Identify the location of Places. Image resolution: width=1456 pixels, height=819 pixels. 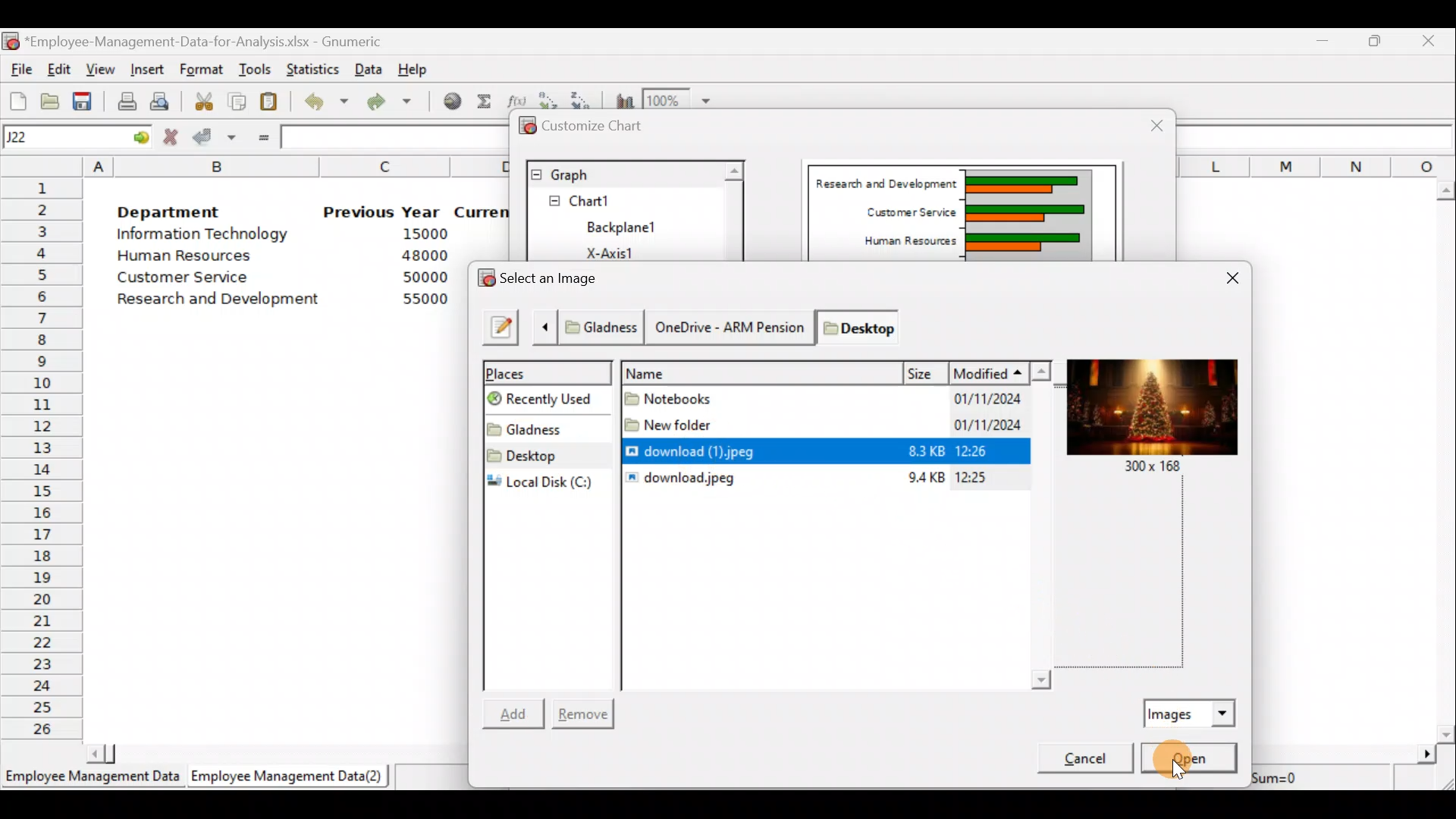
(549, 371).